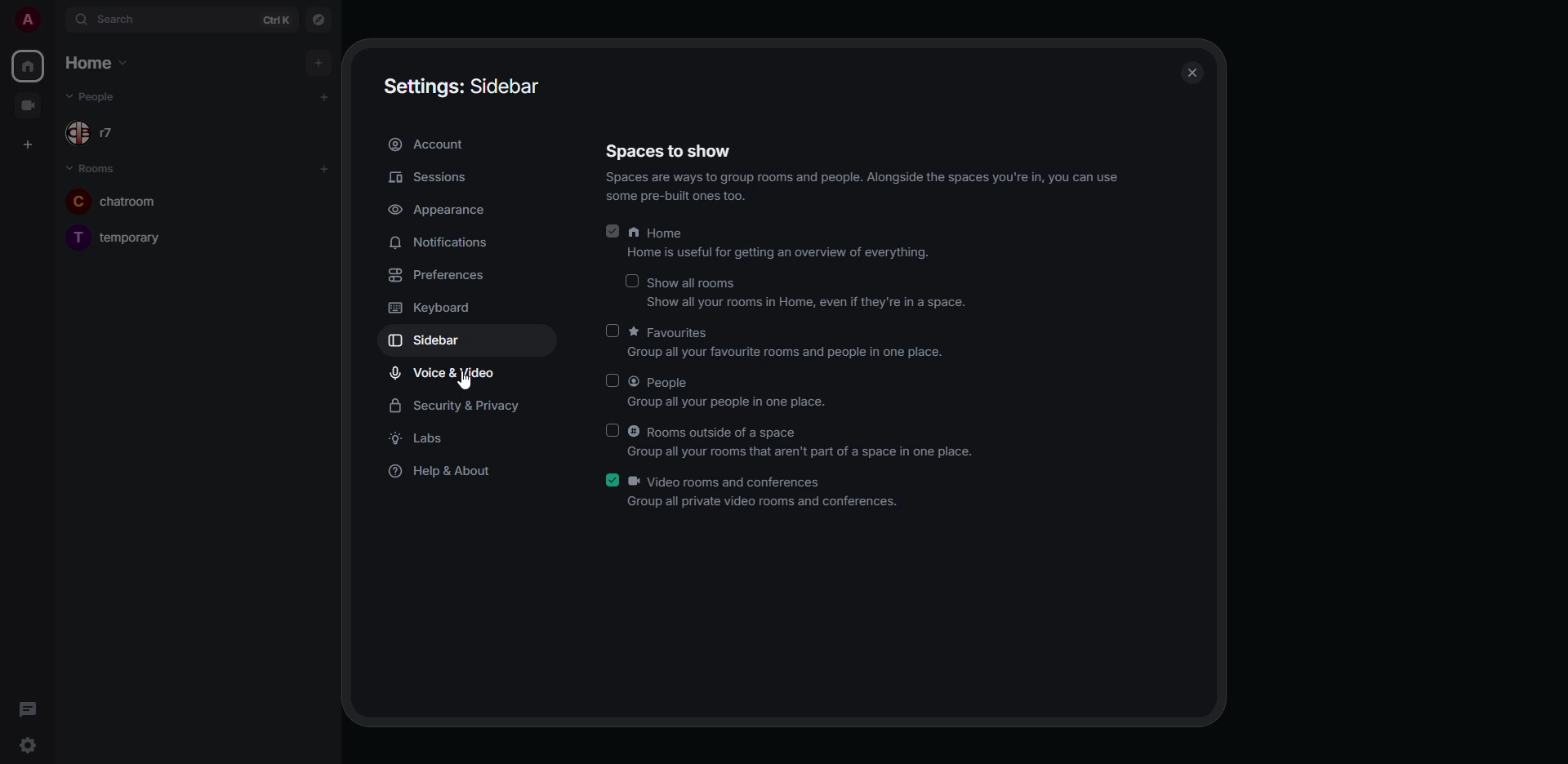  What do you see at coordinates (794, 342) in the screenshot?
I see `favorites` at bounding box center [794, 342].